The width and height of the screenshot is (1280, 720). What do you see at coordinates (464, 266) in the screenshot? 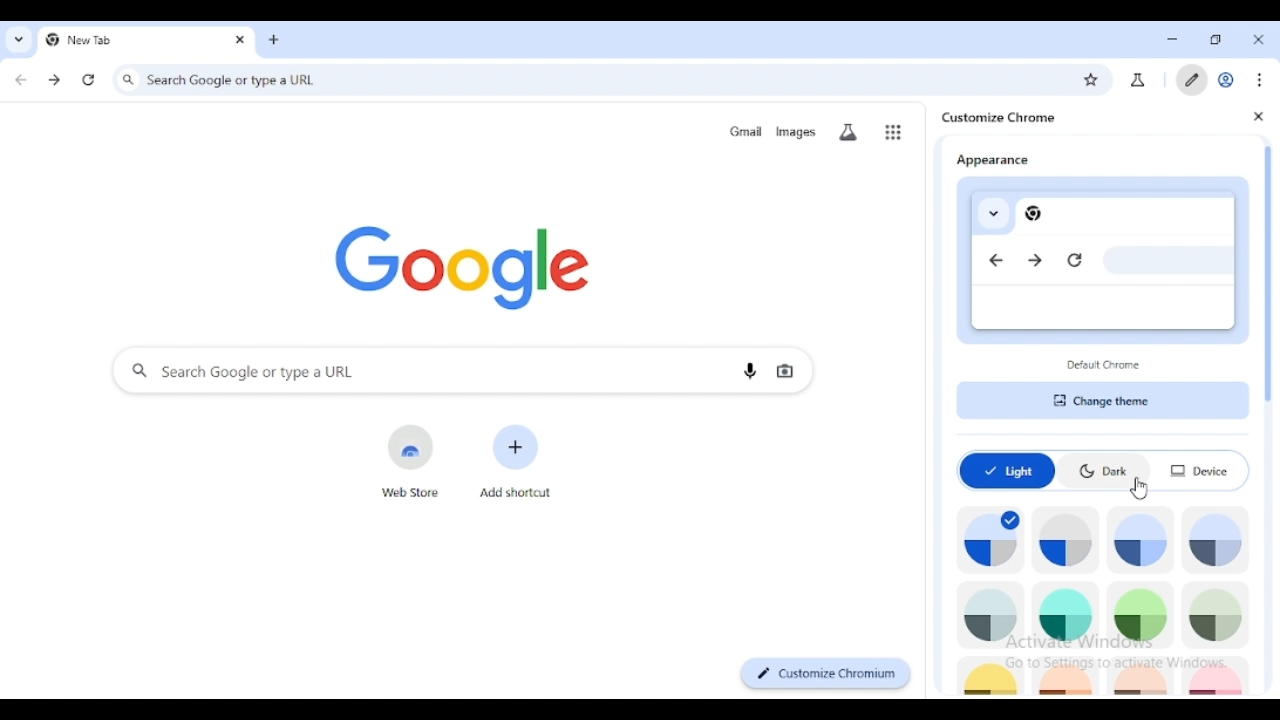
I see `google logo` at bounding box center [464, 266].